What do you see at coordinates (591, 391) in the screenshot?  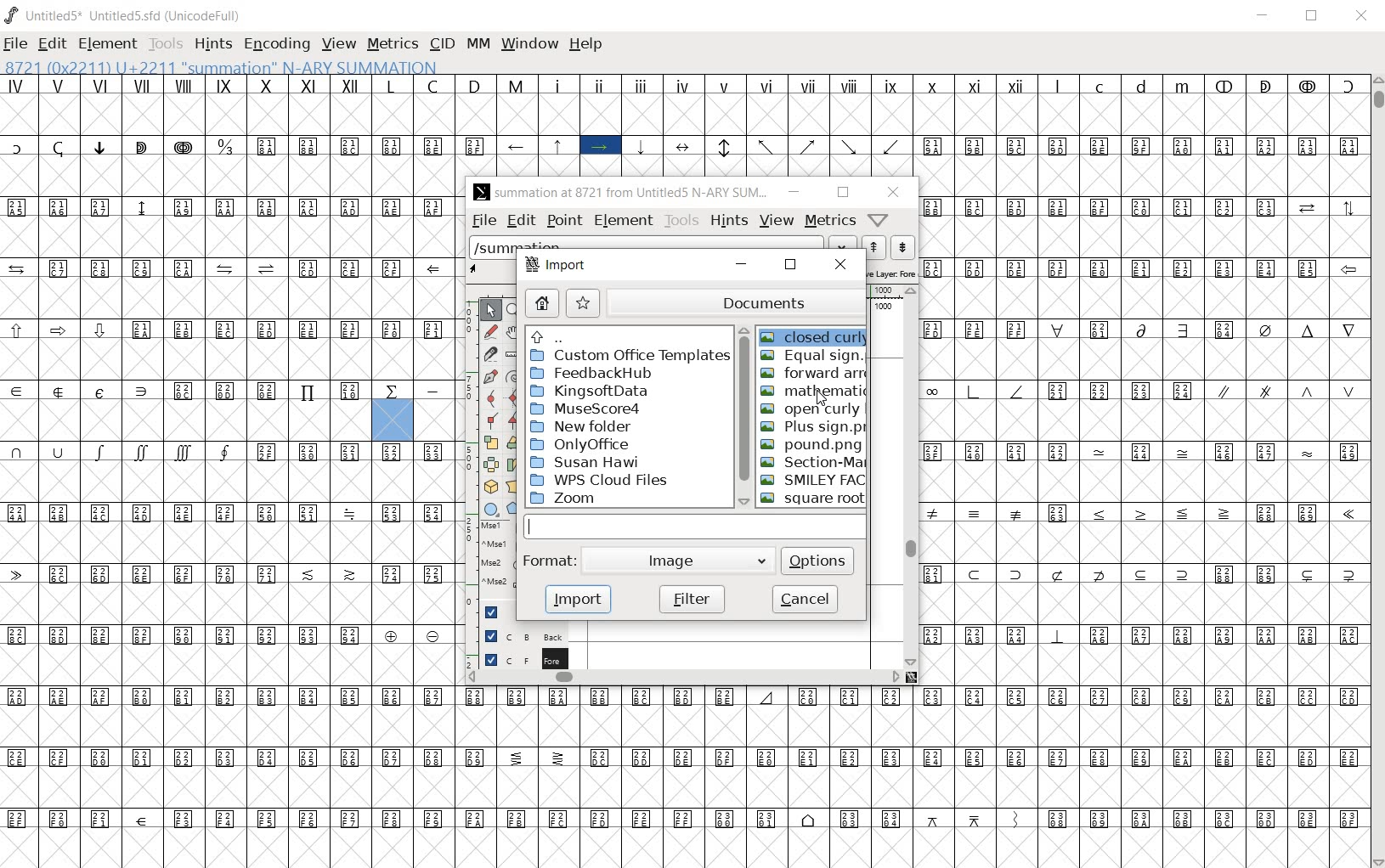 I see `KingsoftData` at bounding box center [591, 391].